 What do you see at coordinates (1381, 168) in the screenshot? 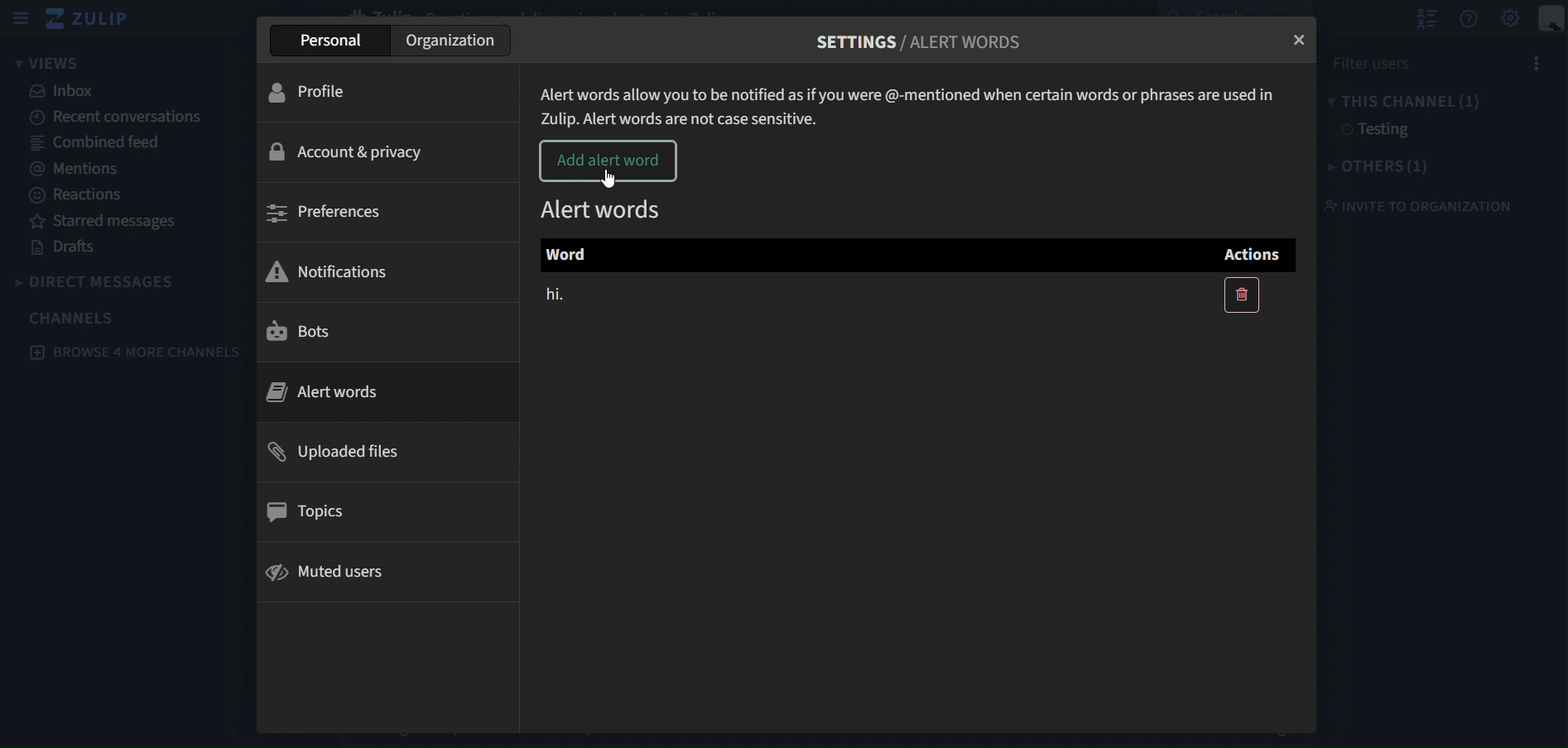
I see `others(1)` at bounding box center [1381, 168].